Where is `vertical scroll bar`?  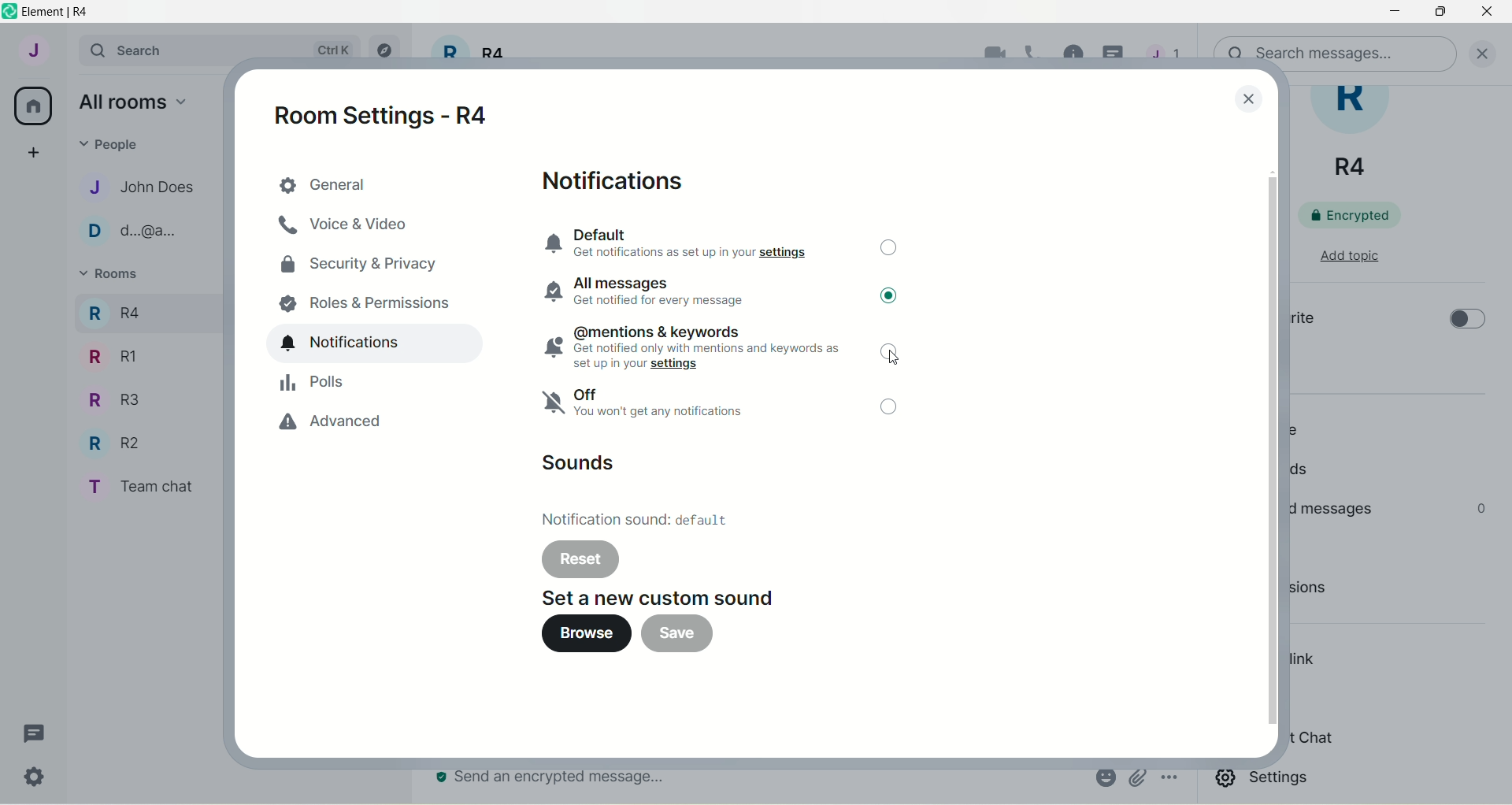 vertical scroll bar is located at coordinates (1503, 445).